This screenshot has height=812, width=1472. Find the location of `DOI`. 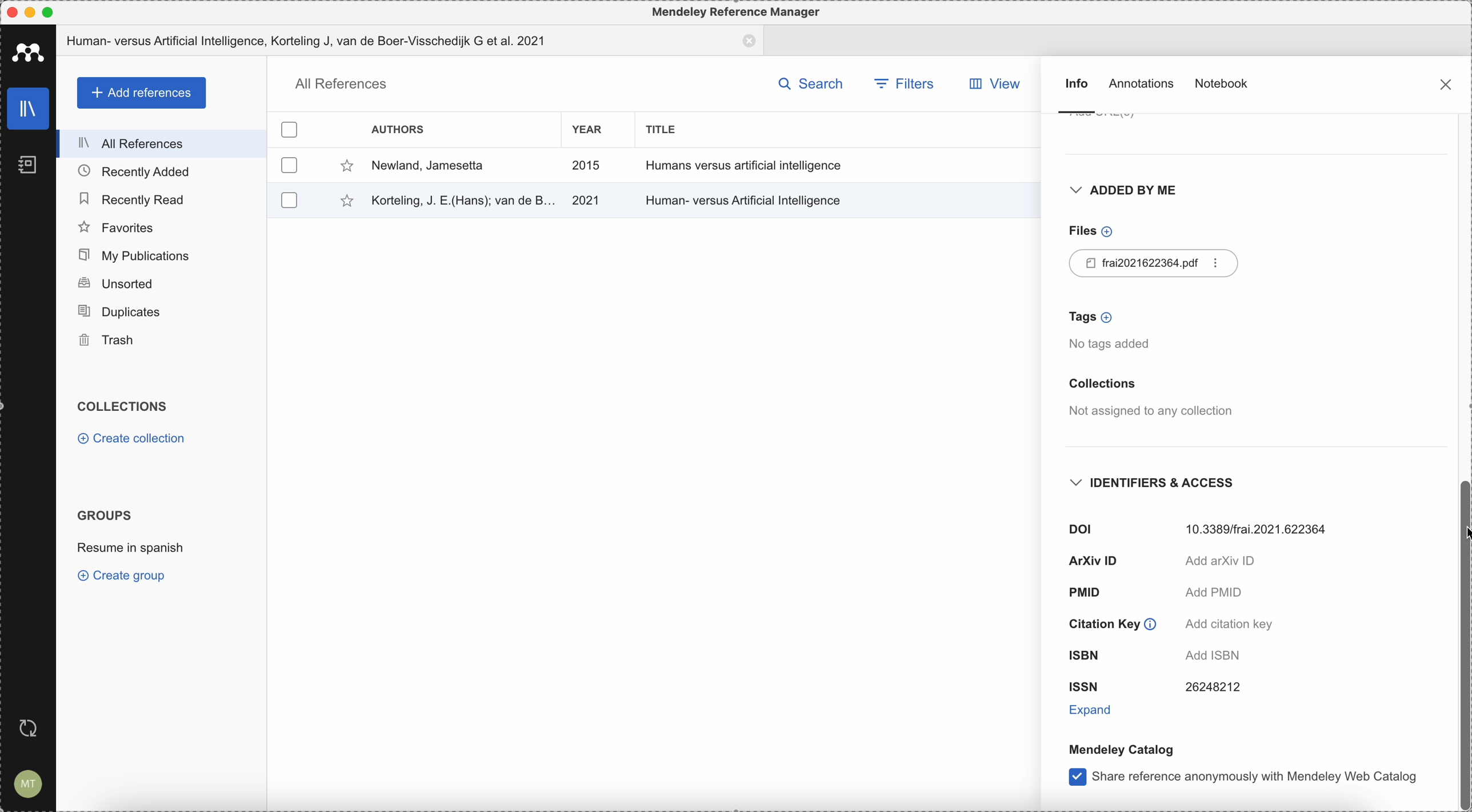

DOI is located at coordinates (1202, 527).